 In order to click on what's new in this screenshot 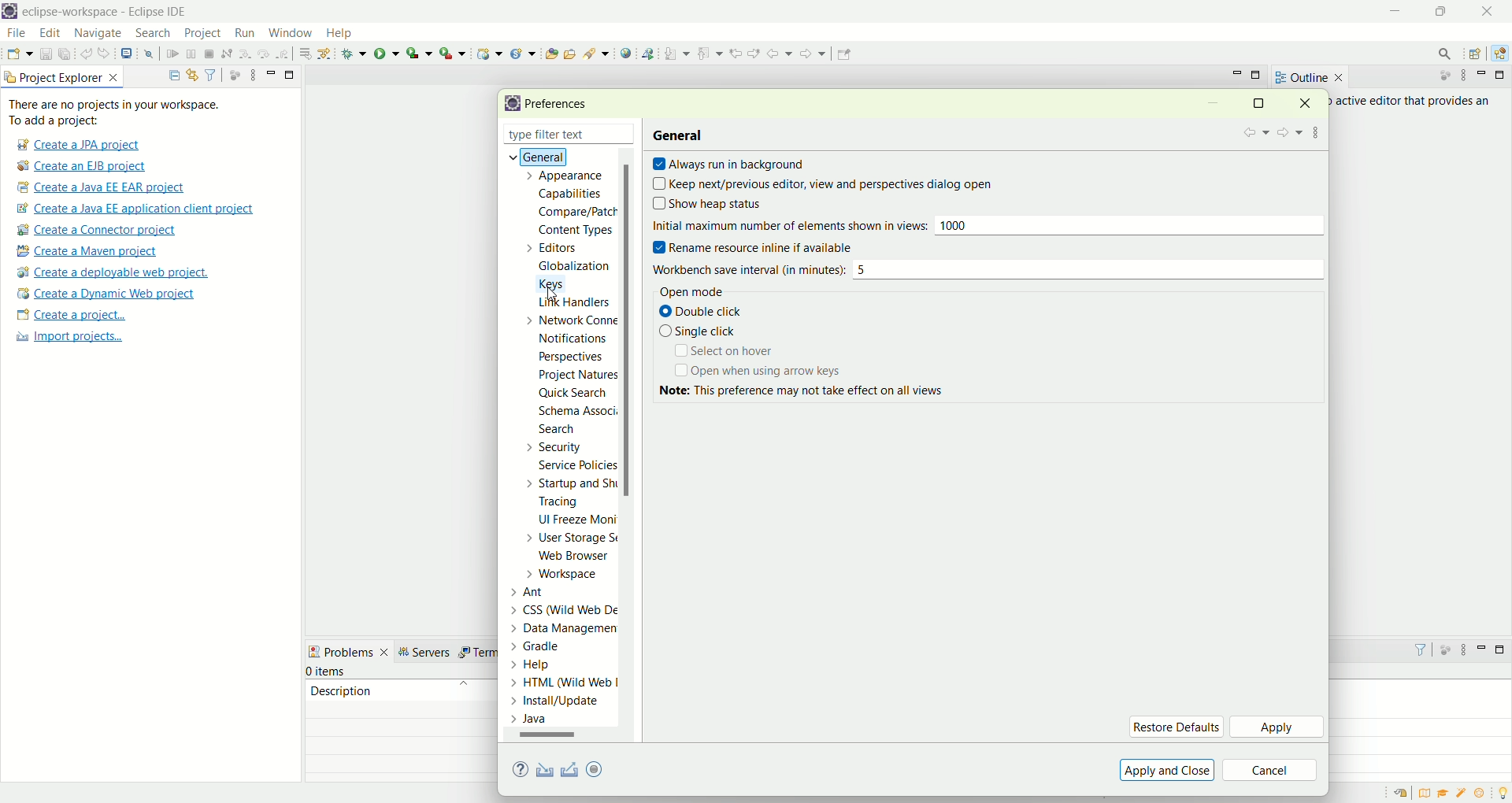, I will do `click(1484, 794)`.